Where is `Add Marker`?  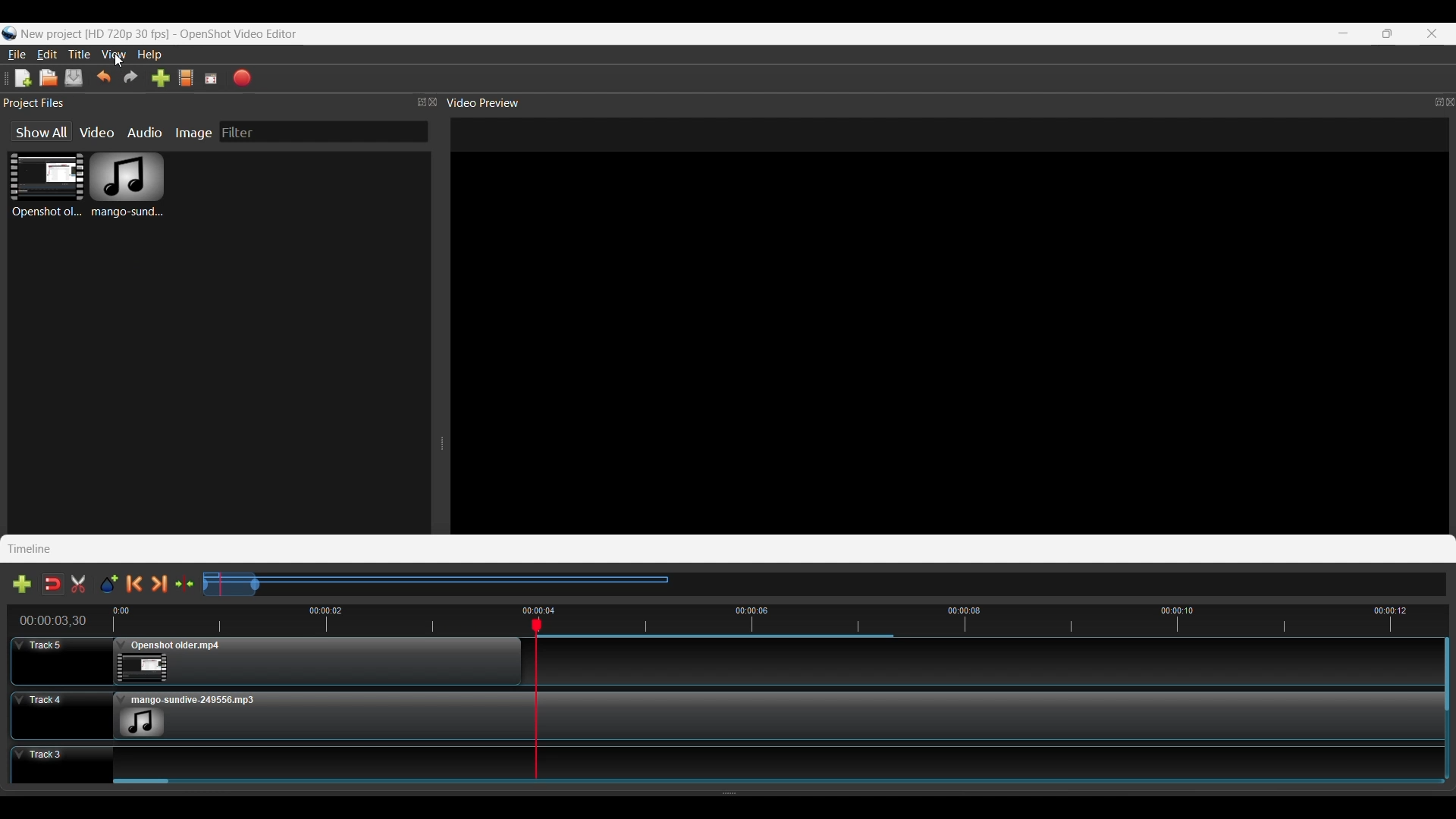 Add Marker is located at coordinates (109, 584).